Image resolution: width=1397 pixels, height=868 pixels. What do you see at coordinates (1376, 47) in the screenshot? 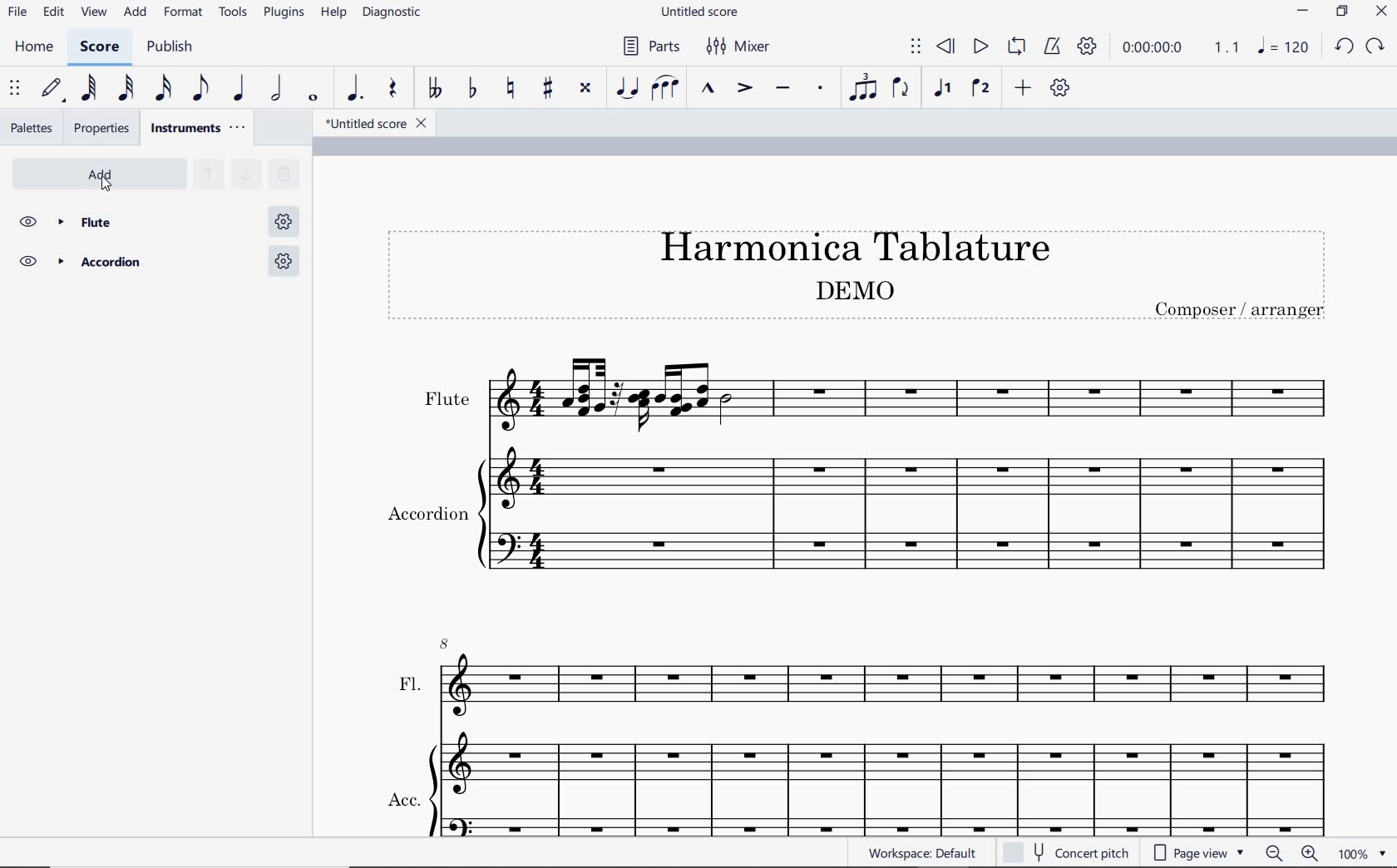
I see `REDO` at bounding box center [1376, 47].